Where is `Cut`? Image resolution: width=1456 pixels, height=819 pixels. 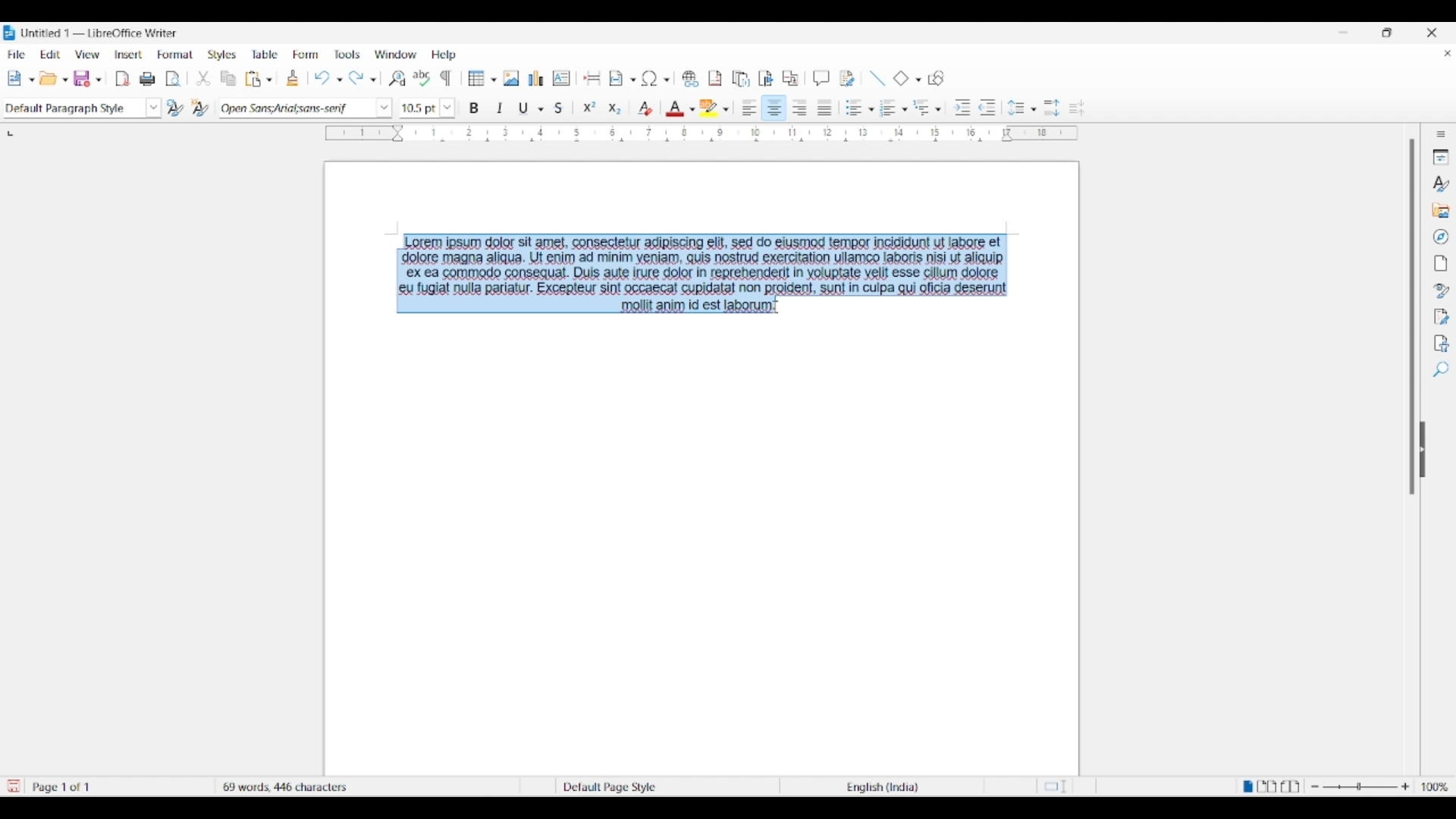
Cut is located at coordinates (203, 78).